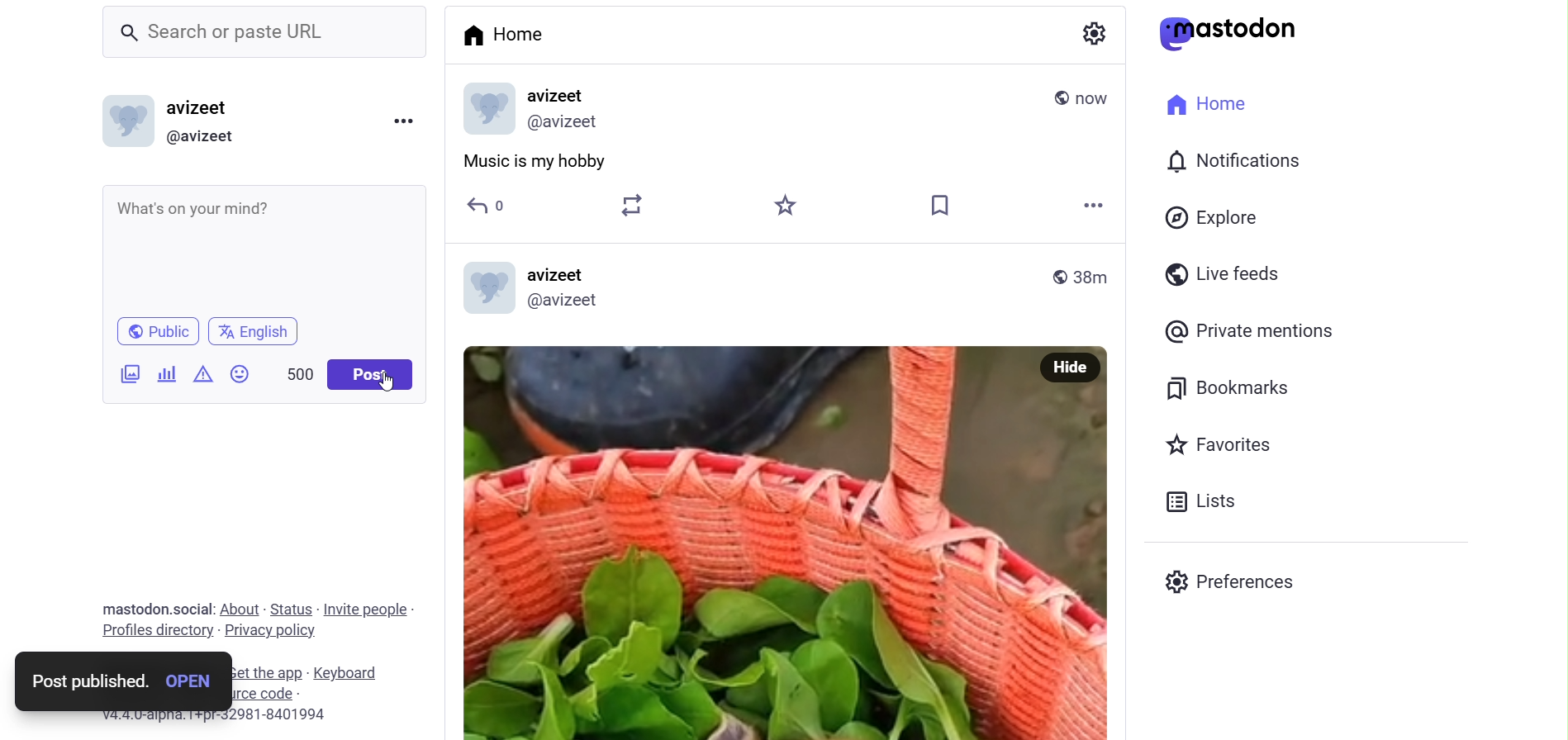 This screenshot has width=1568, height=740. Describe the element at coordinates (239, 608) in the screenshot. I see `About` at that location.